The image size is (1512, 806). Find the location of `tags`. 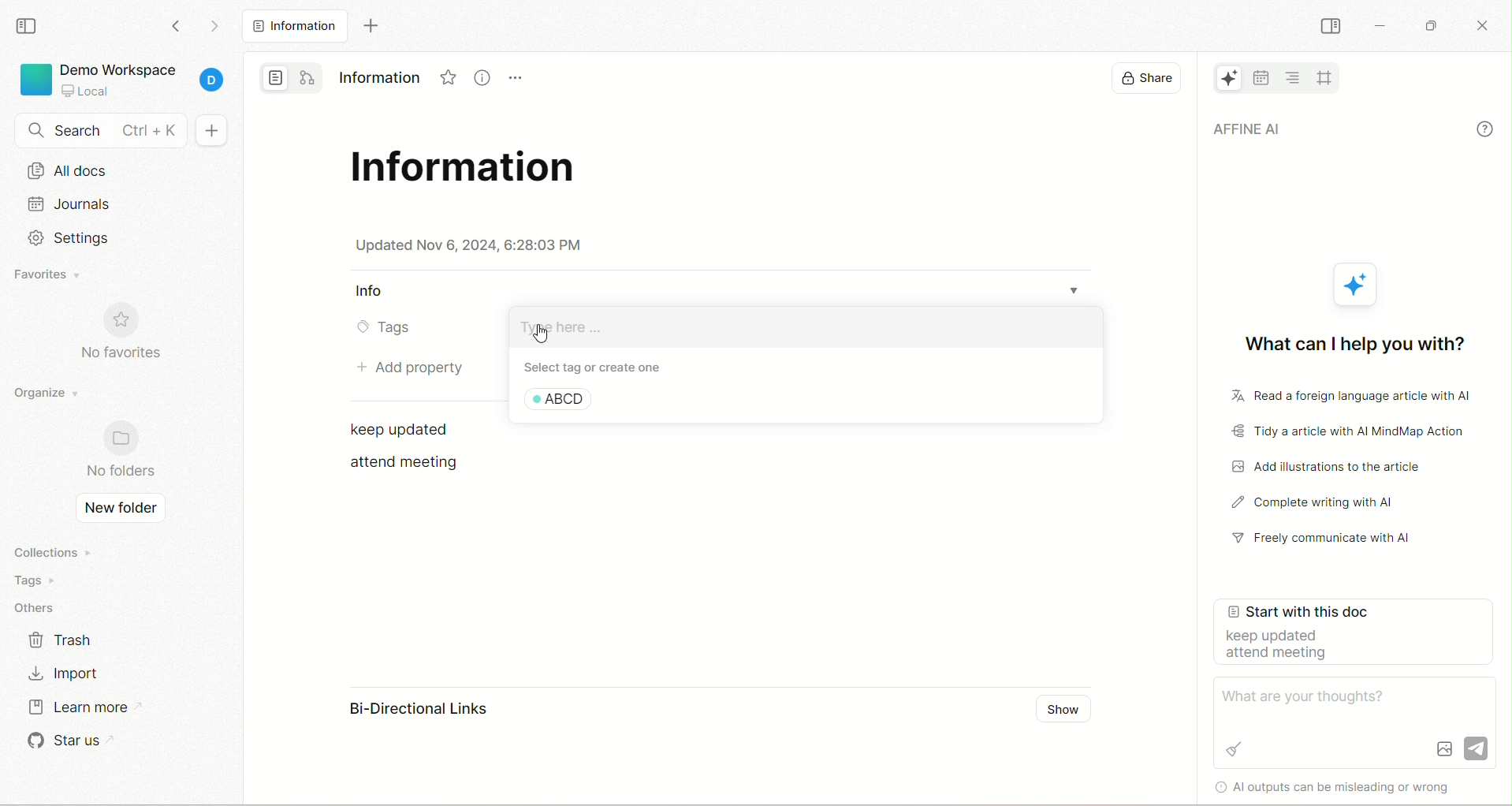

tags is located at coordinates (382, 329).